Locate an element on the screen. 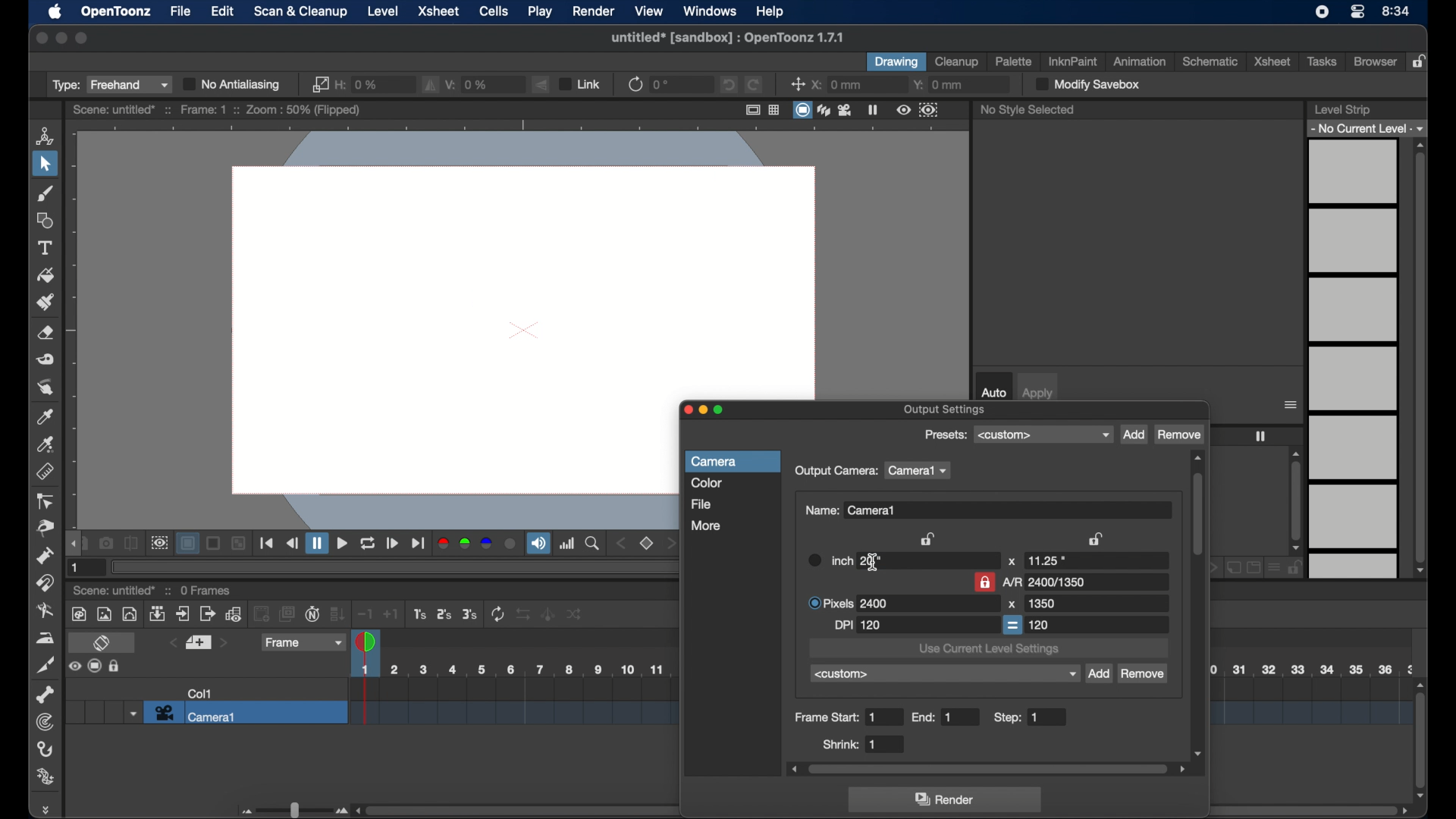  file is located at coordinates (701, 504).